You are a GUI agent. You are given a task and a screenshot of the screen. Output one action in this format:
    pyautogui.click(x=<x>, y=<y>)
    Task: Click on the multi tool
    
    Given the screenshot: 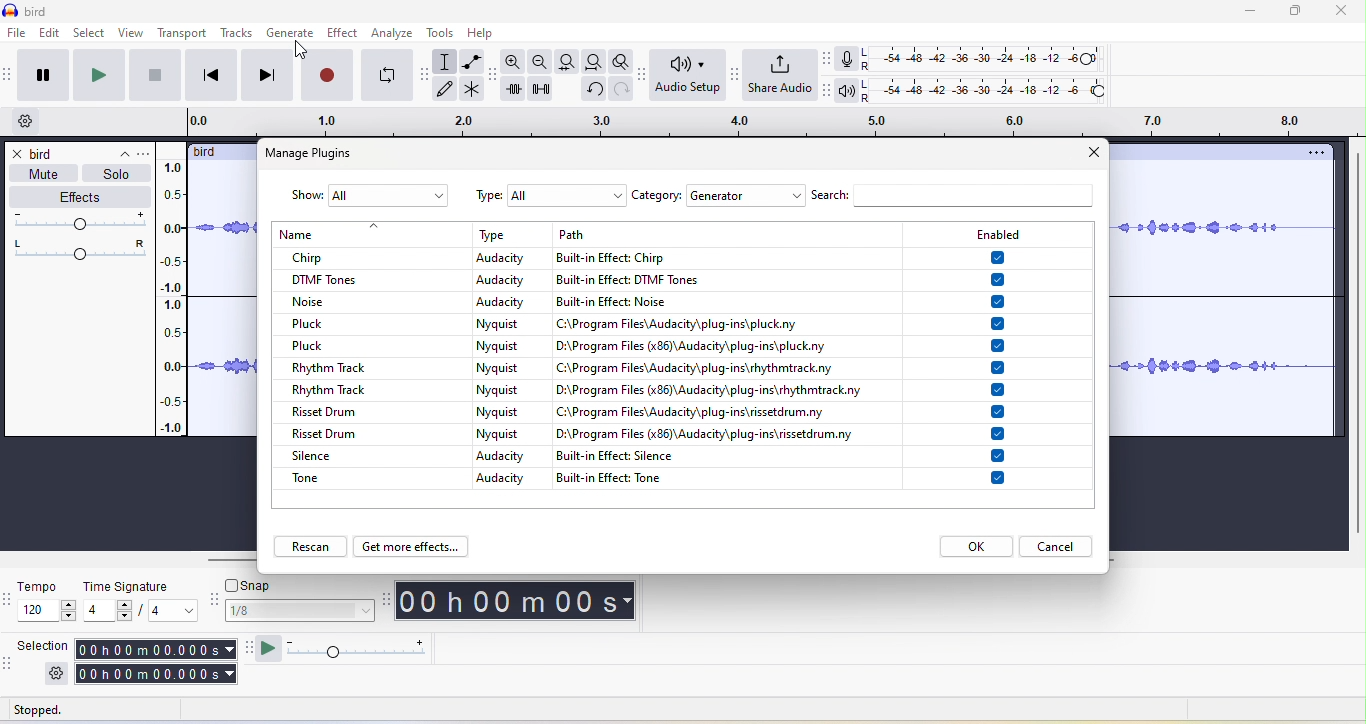 What is the action you would take?
    pyautogui.click(x=479, y=88)
    